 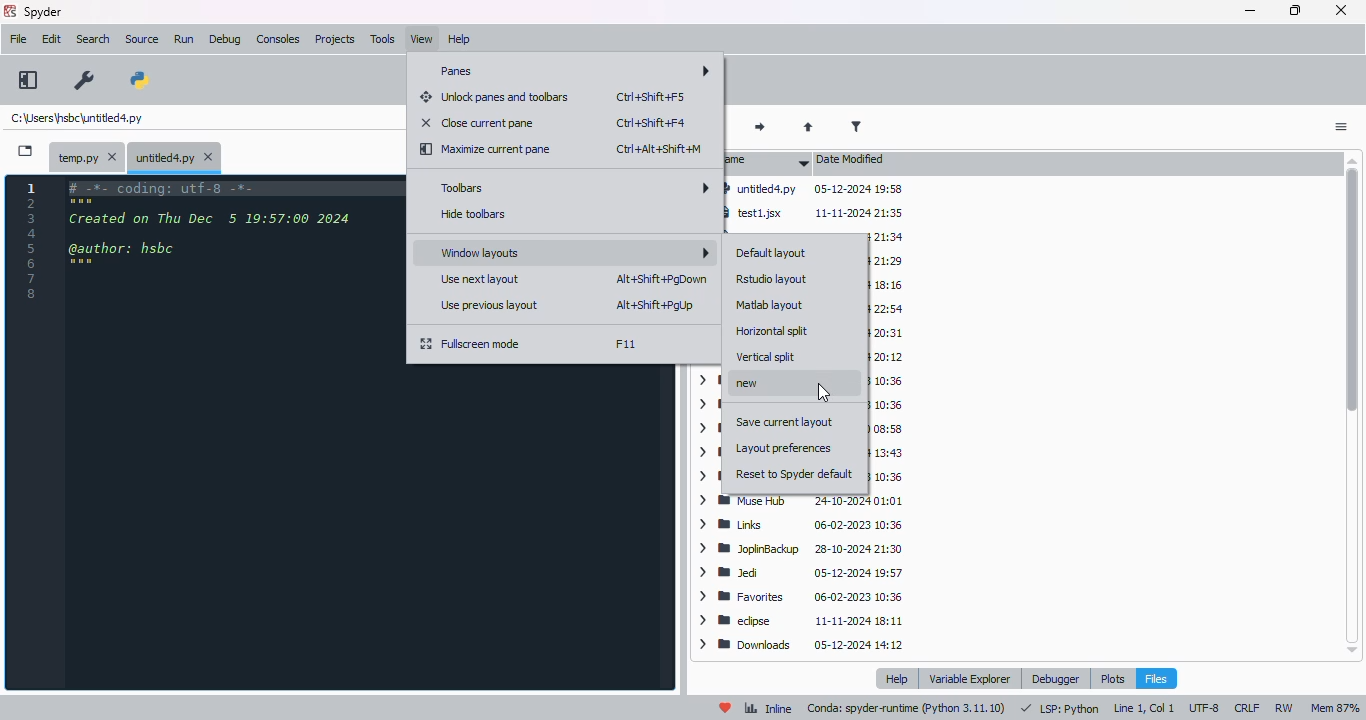 What do you see at coordinates (772, 279) in the screenshot?
I see `RStudio layout` at bounding box center [772, 279].